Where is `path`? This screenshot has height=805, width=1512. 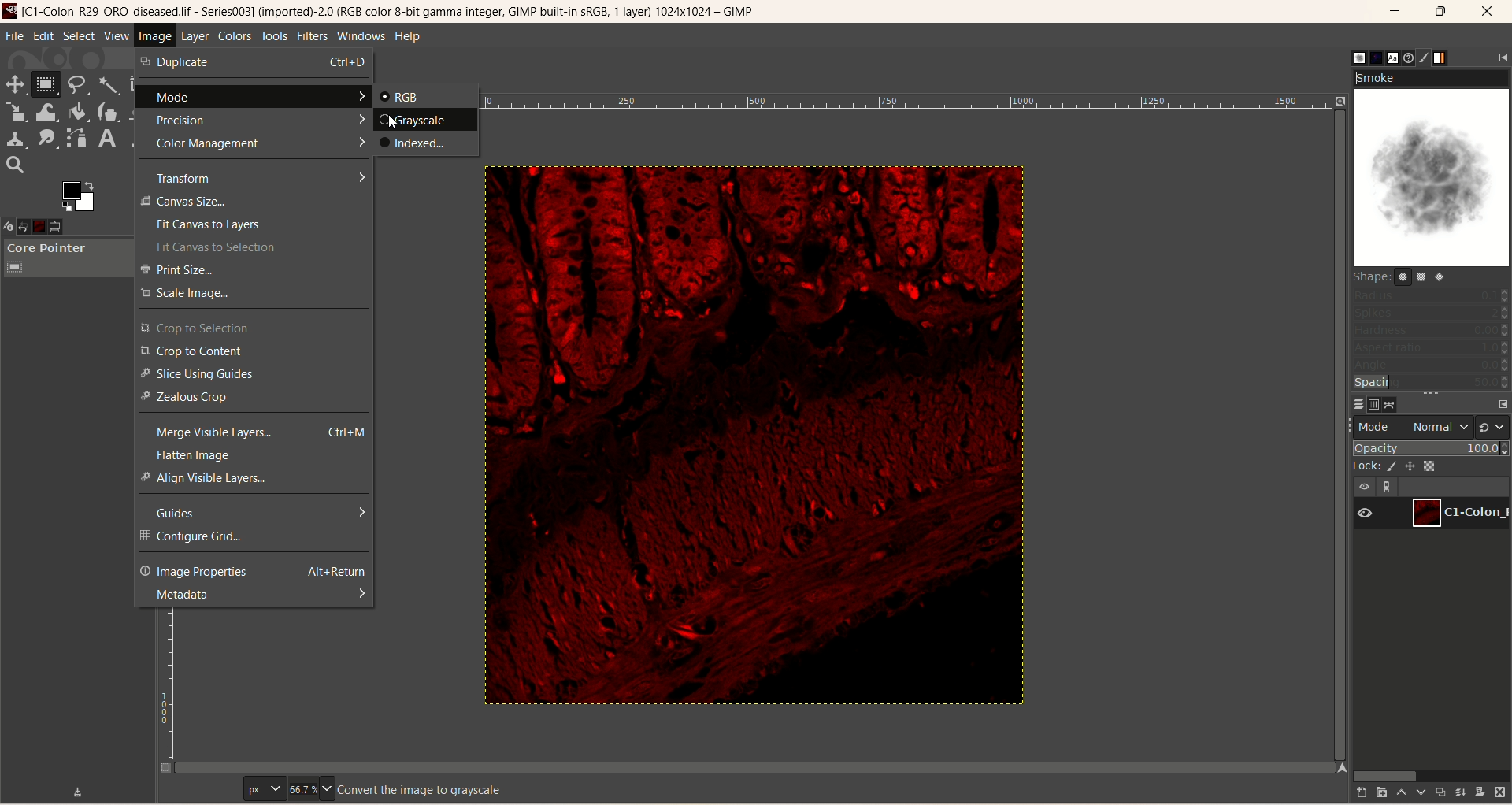 path is located at coordinates (1389, 404).